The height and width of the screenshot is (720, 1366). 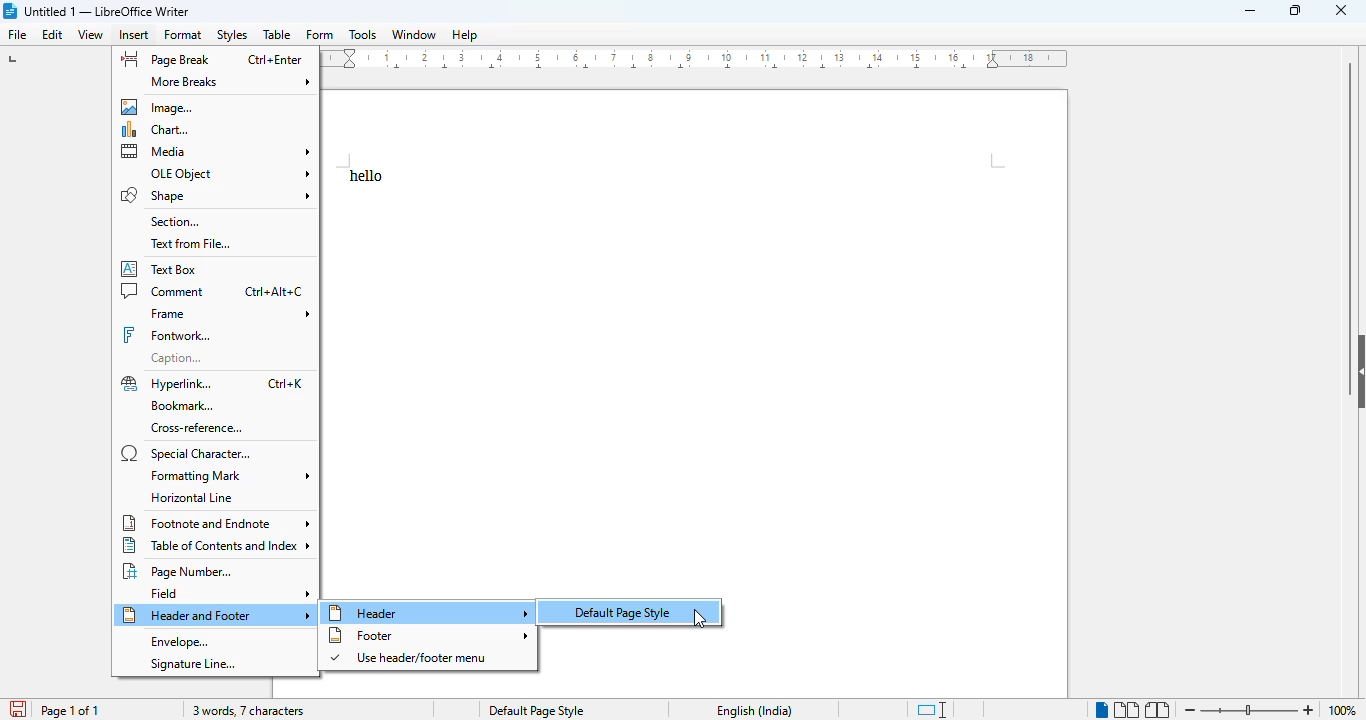 I want to click on view, so click(x=90, y=35).